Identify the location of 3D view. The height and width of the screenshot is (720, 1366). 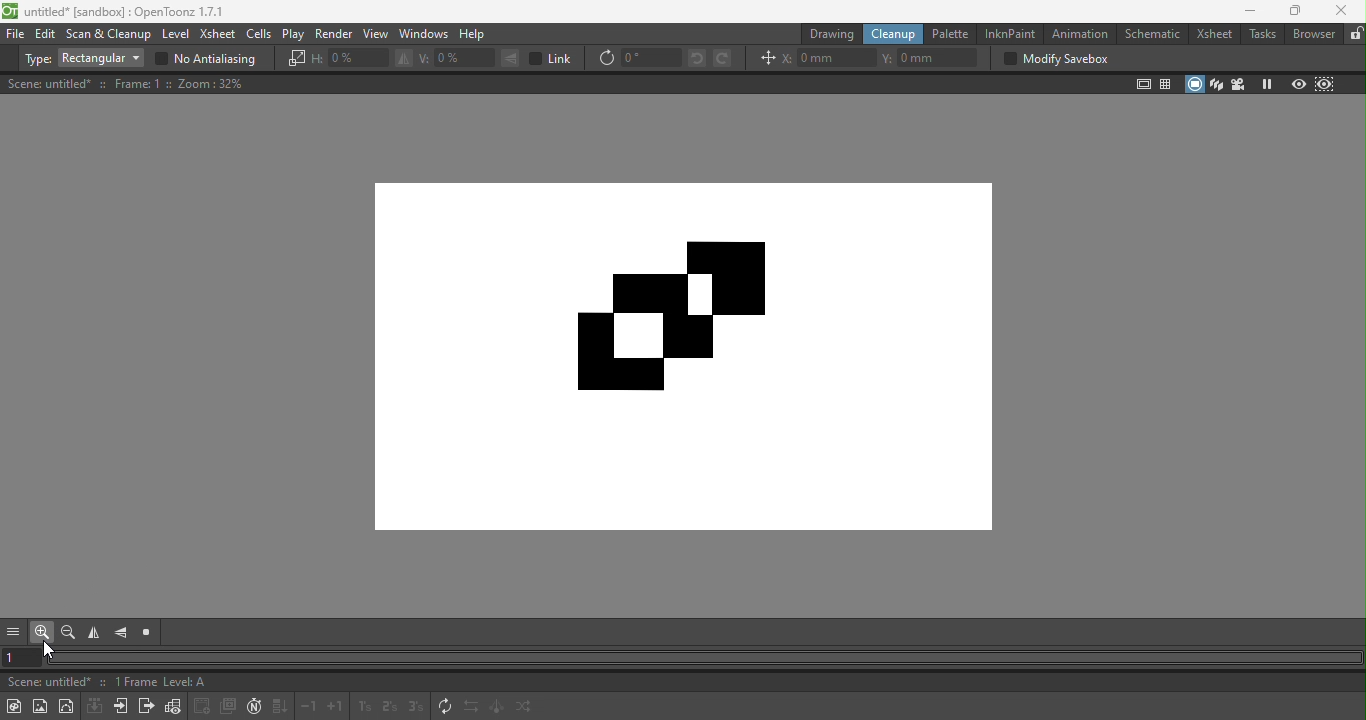
(1217, 83).